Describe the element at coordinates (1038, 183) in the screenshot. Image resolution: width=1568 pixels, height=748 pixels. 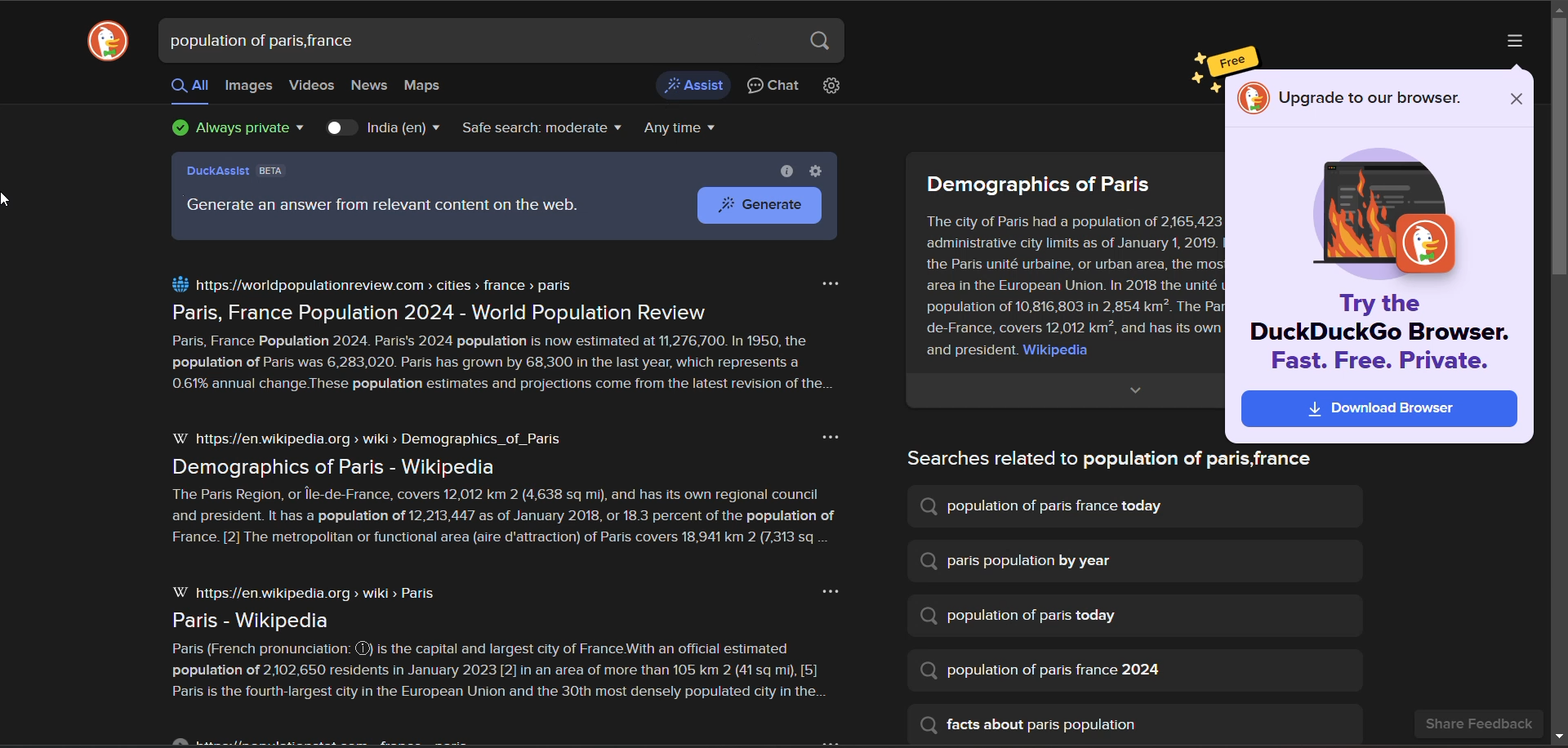
I see `Demographics of Paris` at that location.